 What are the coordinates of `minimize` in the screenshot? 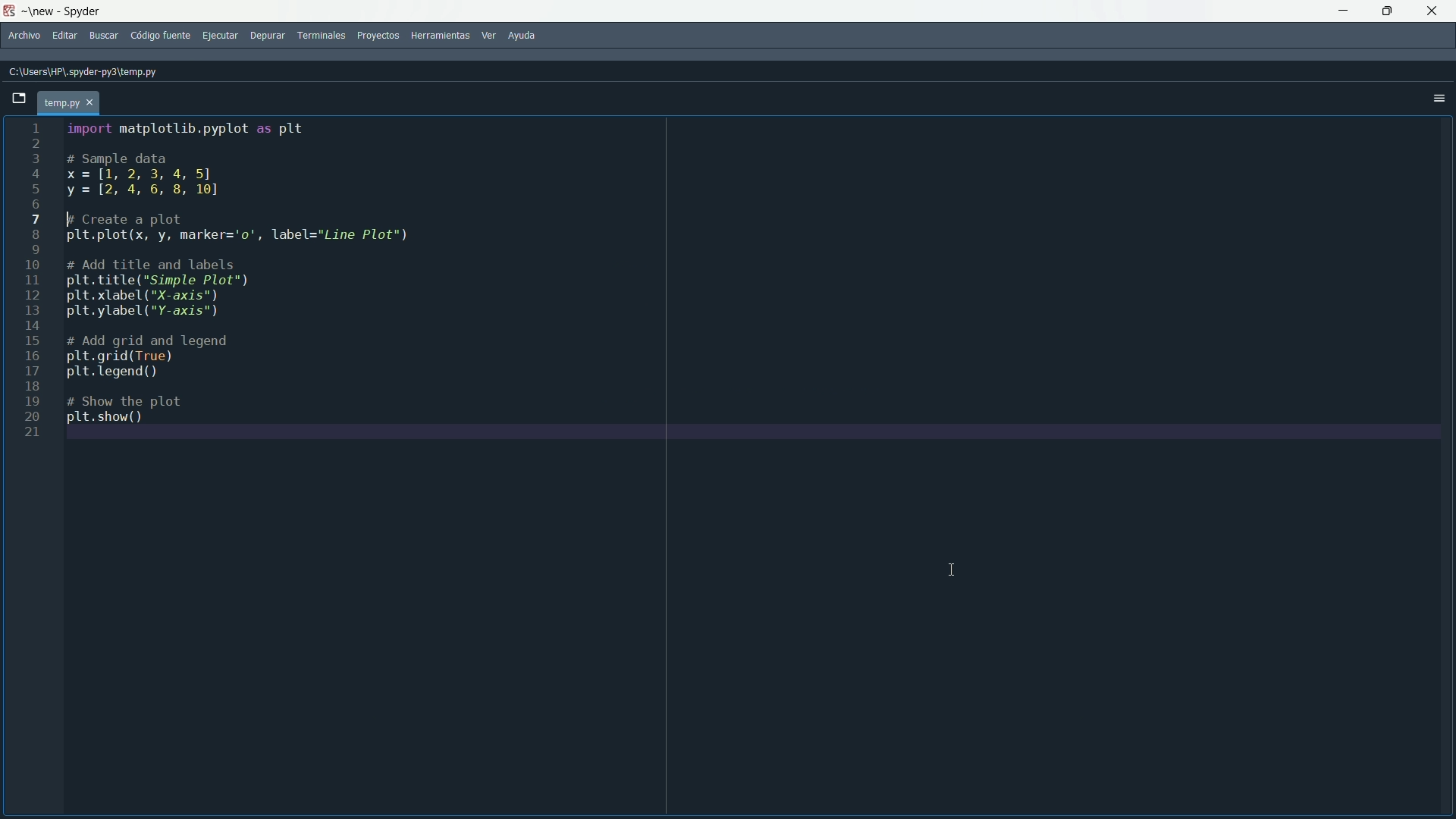 It's located at (1344, 11).